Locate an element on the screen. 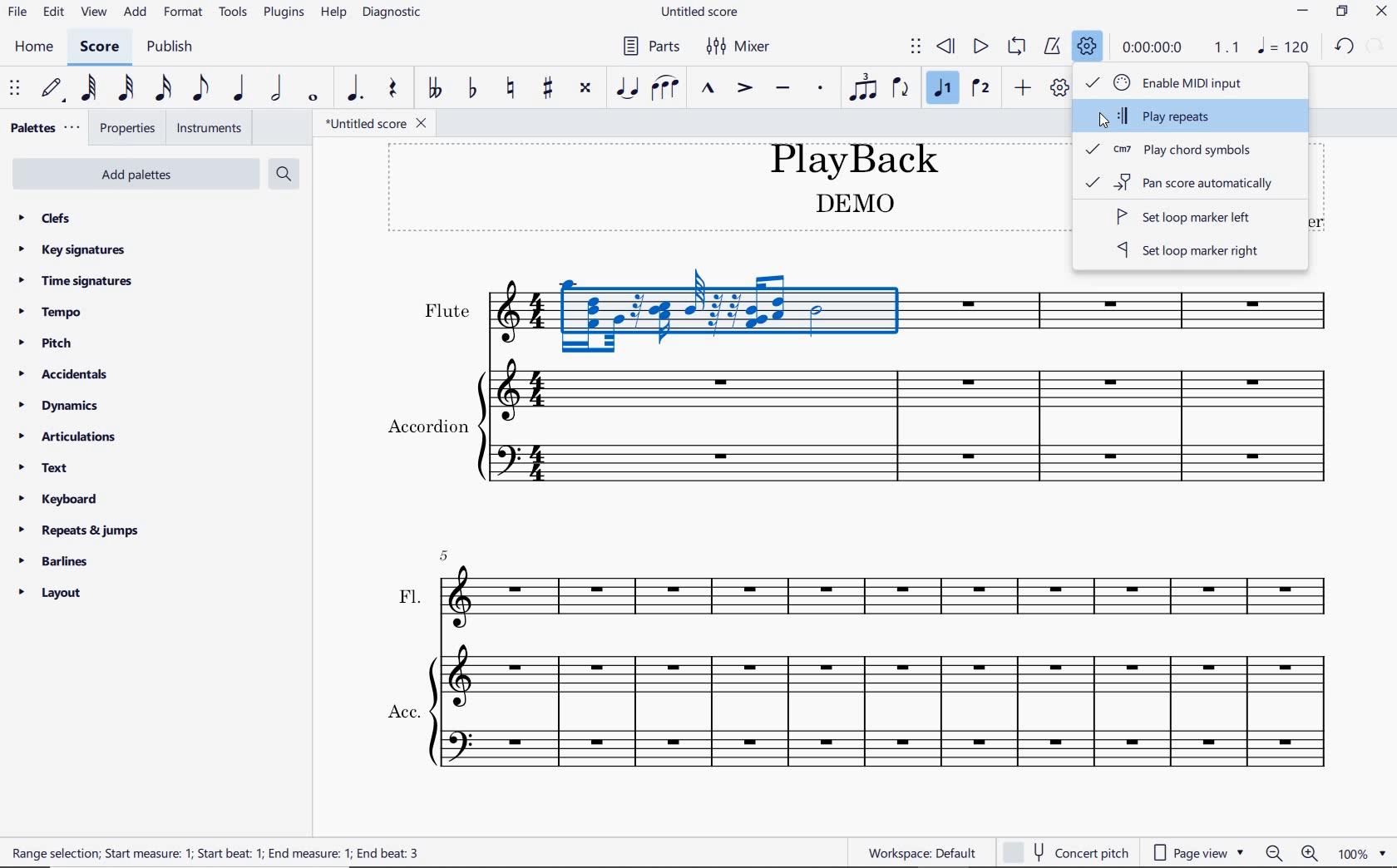 The height and width of the screenshot is (868, 1397). metronome is located at coordinates (1054, 47).